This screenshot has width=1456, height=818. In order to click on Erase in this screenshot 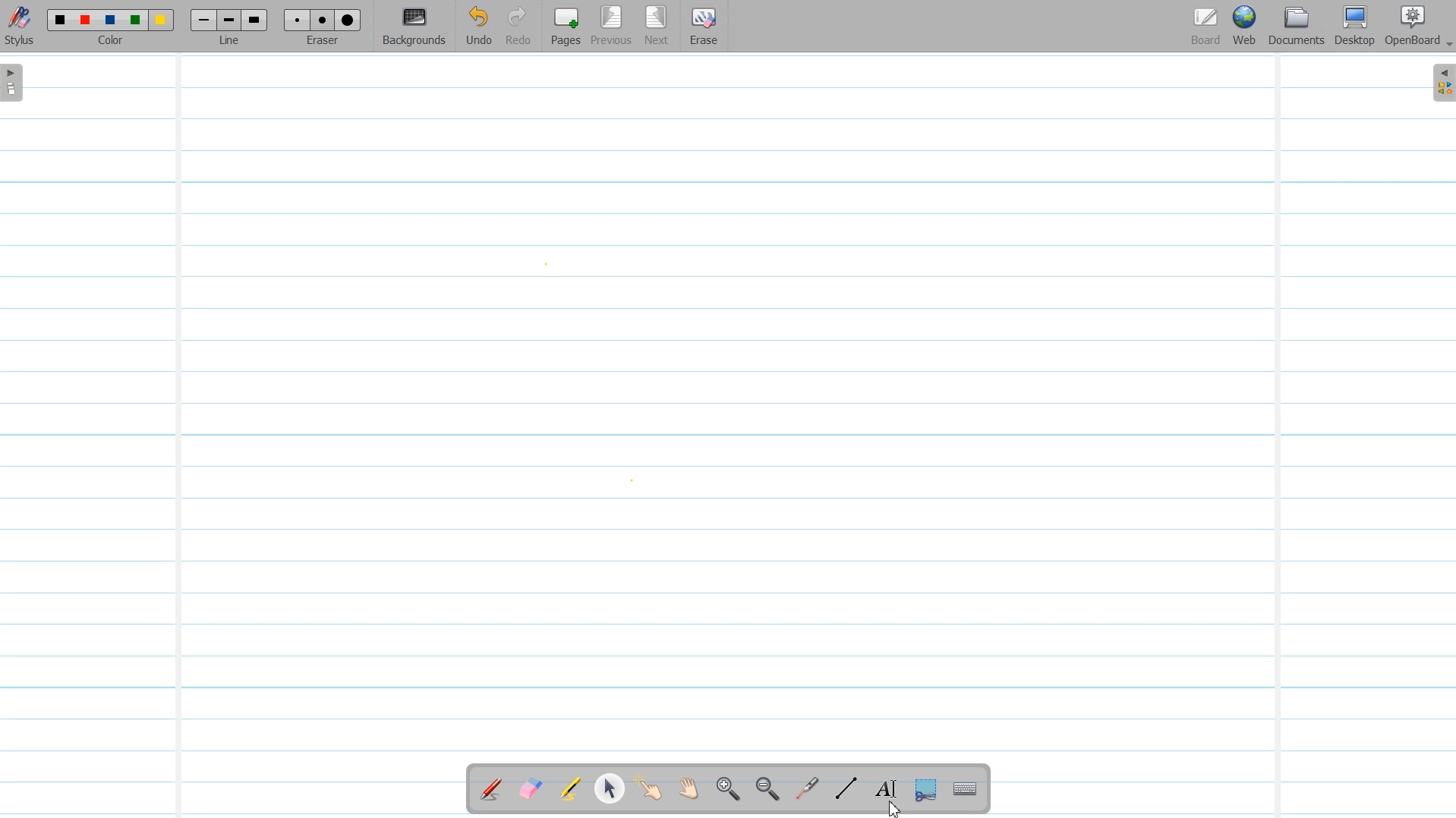, I will do `click(702, 27)`.